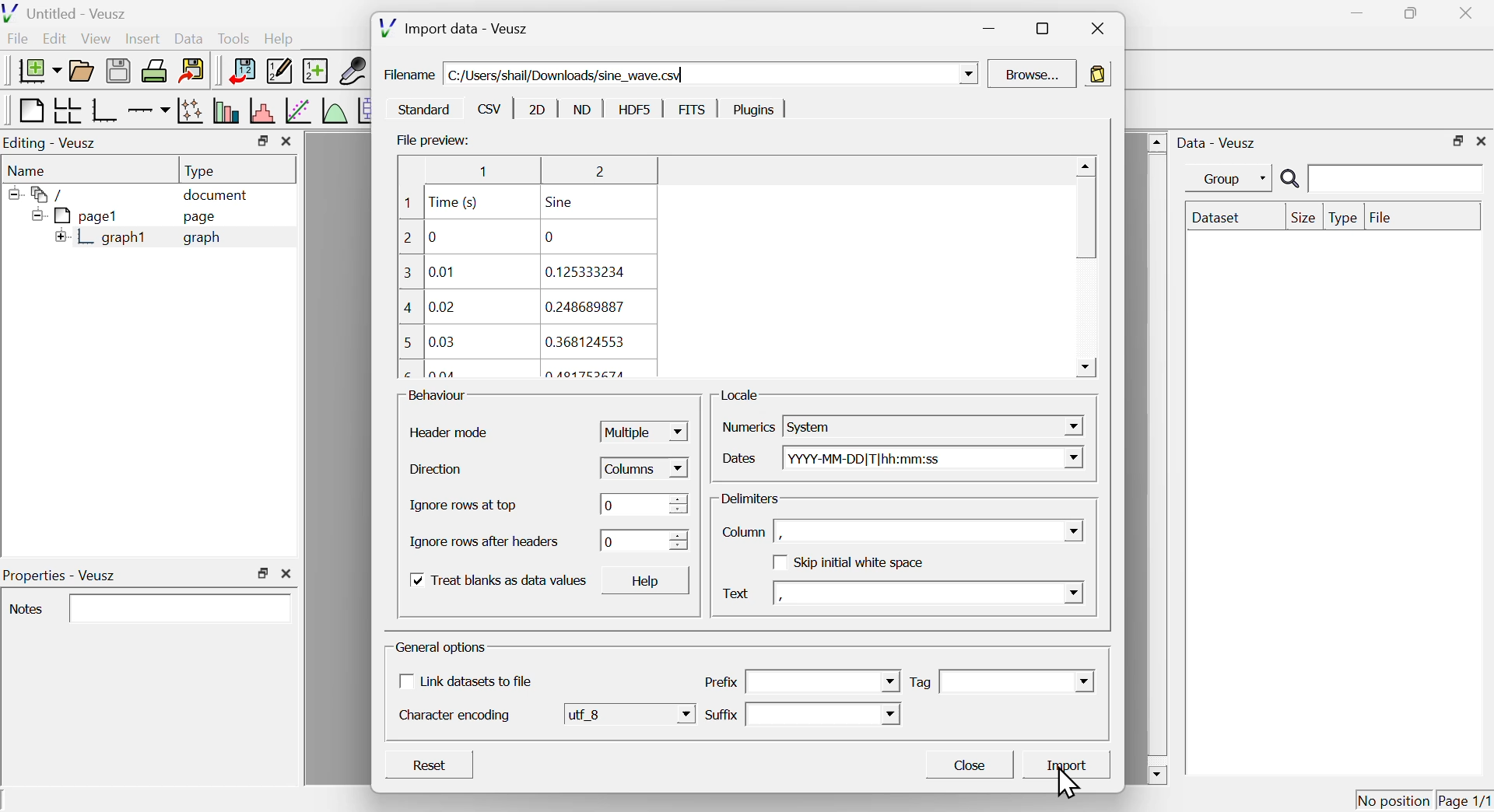 The image size is (1494, 812). What do you see at coordinates (407, 287) in the screenshot?
I see `line numbers` at bounding box center [407, 287].